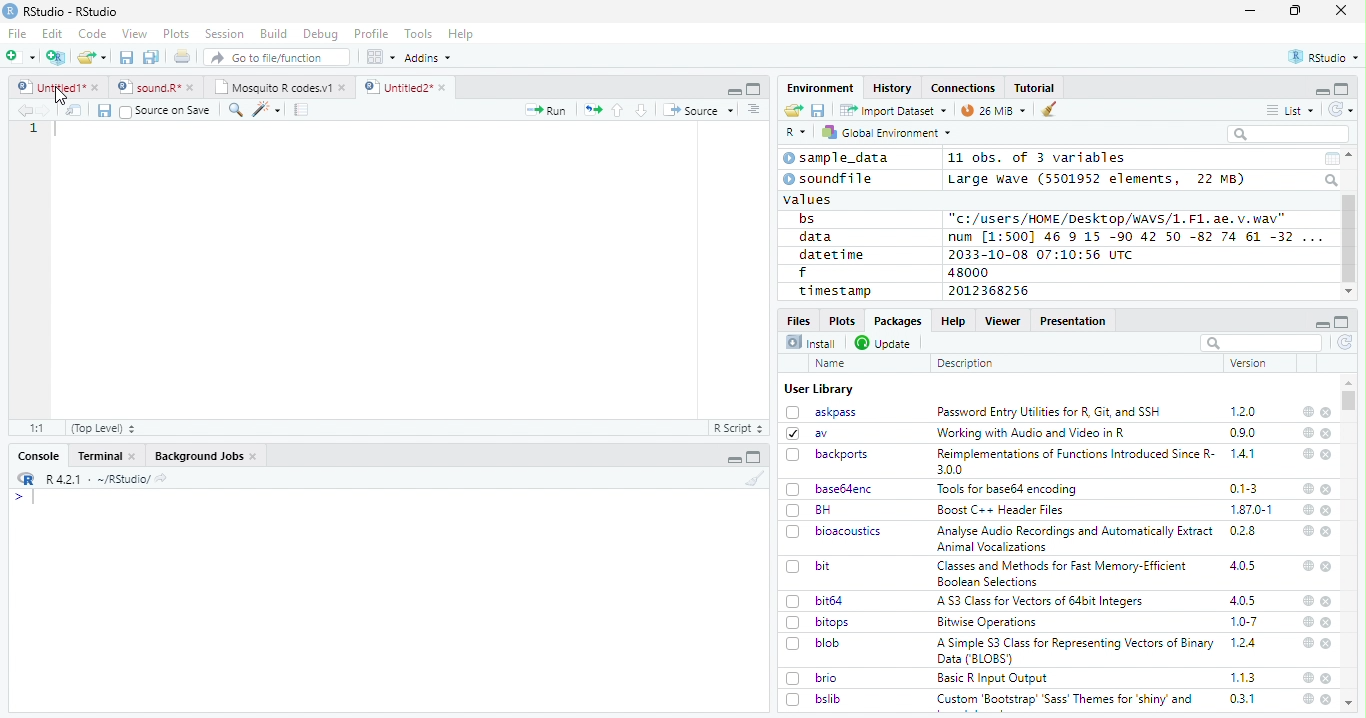  Describe the element at coordinates (1074, 461) in the screenshot. I see `Reimplementations of Functions Introduced Since R-
300` at that location.